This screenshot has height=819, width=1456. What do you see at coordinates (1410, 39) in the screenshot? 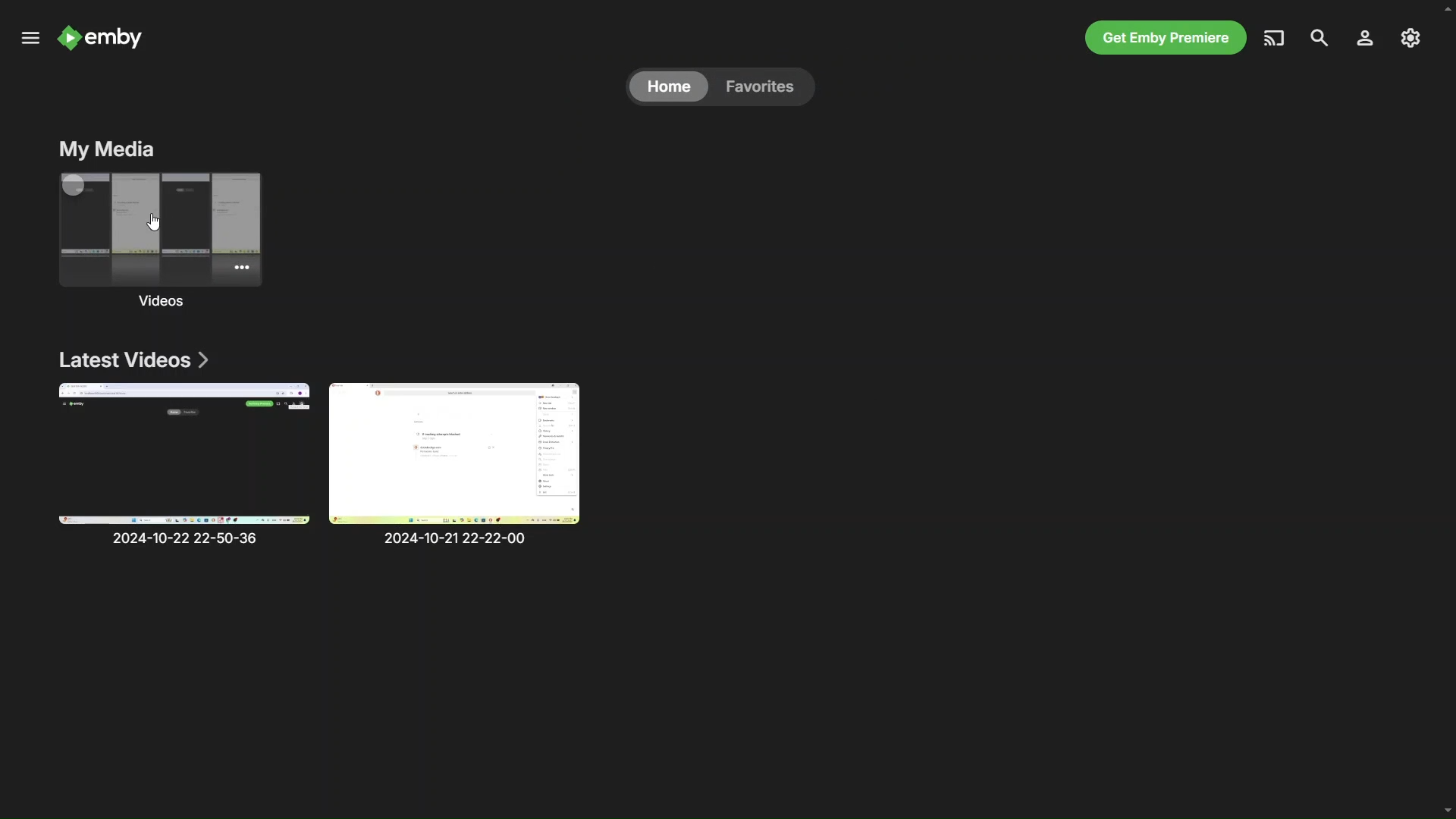
I see `settings` at bounding box center [1410, 39].